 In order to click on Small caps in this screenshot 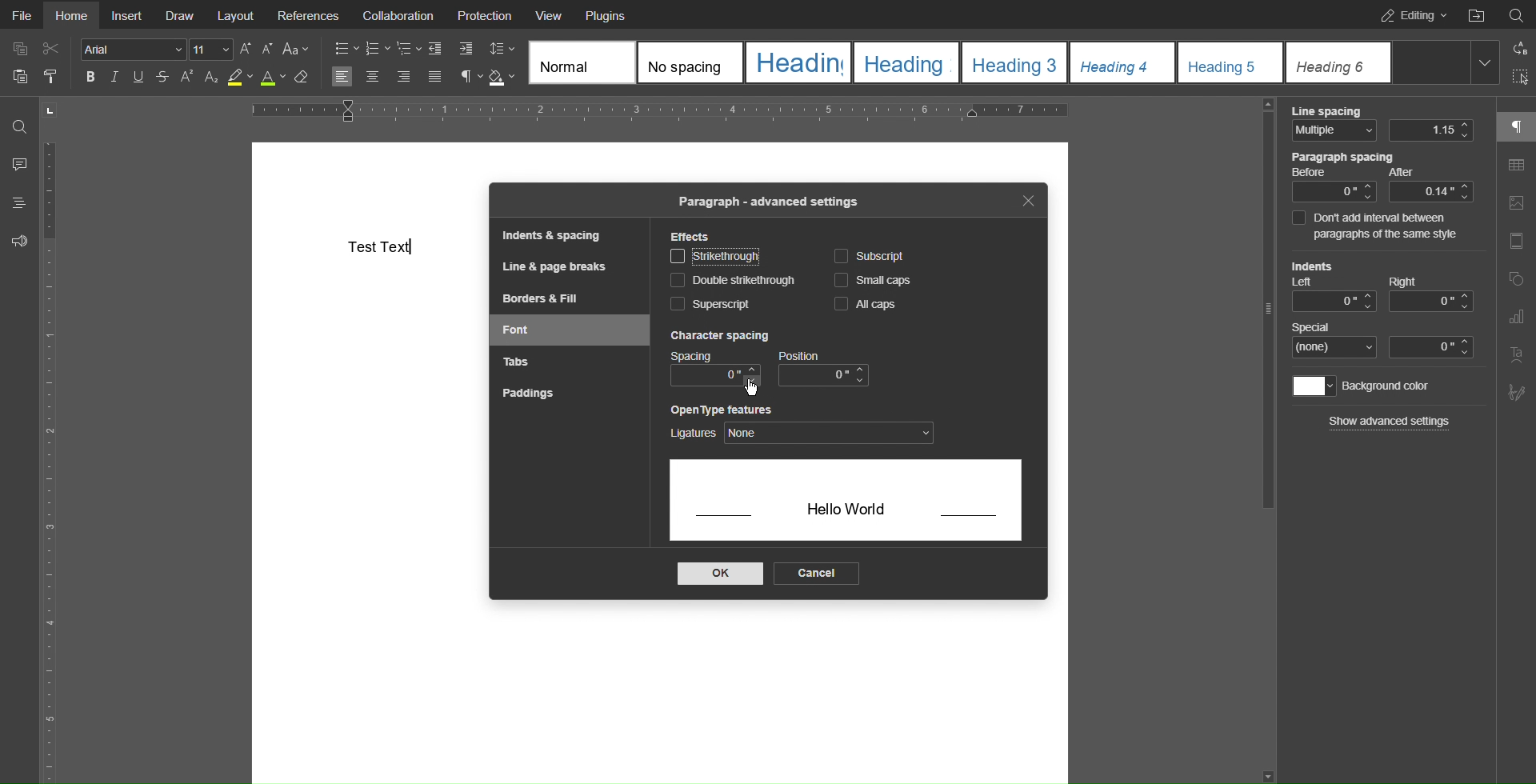, I will do `click(878, 280)`.